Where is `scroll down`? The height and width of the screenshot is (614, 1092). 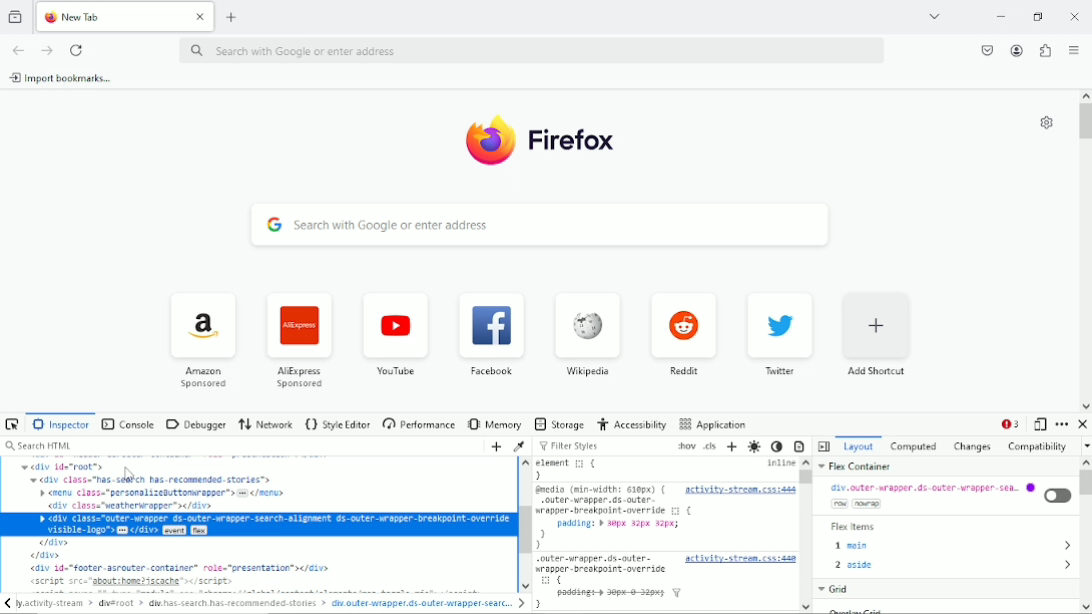 scroll down is located at coordinates (1084, 607).